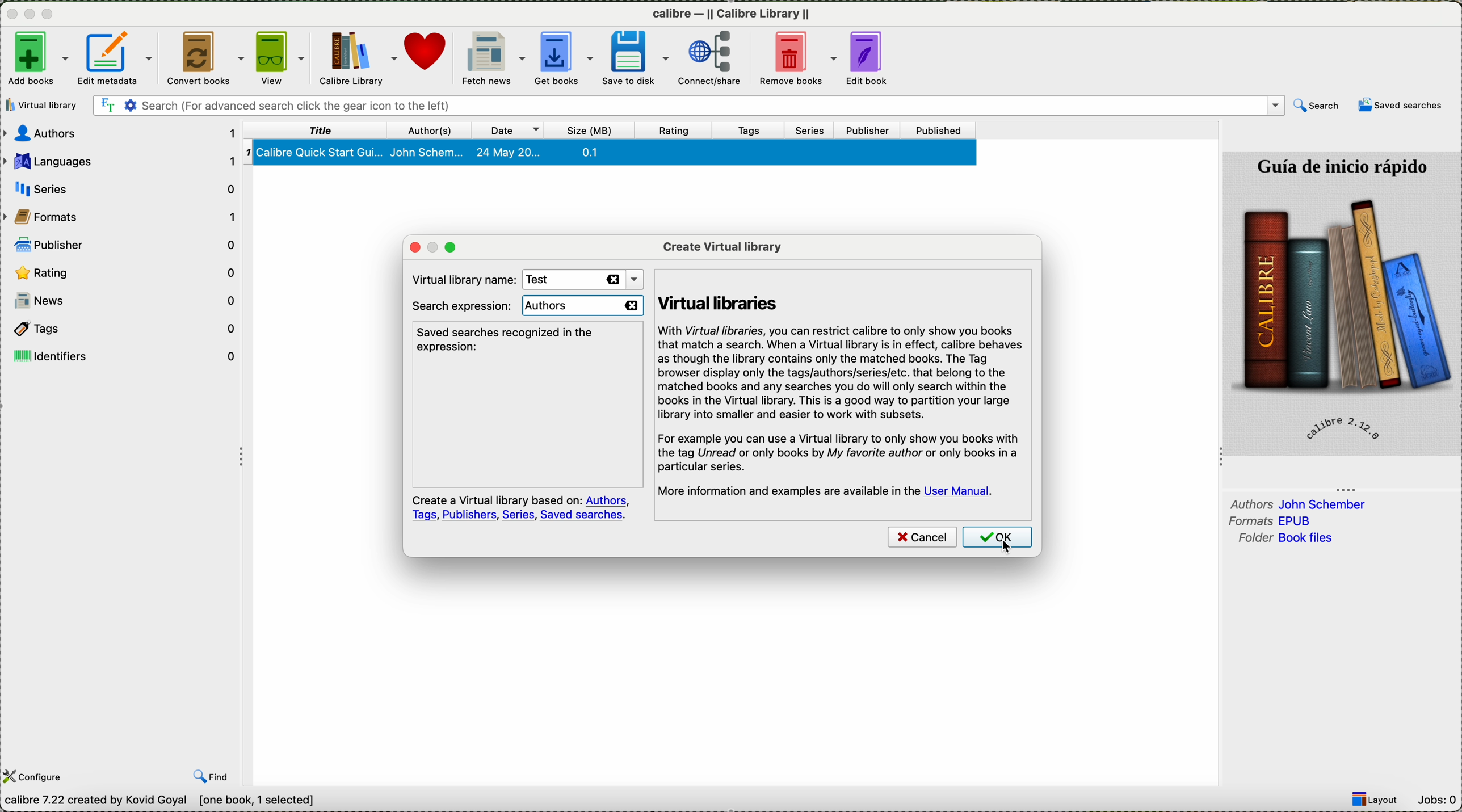 This screenshot has height=812, width=1462. I want to click on fletch news, so click(493, 58).